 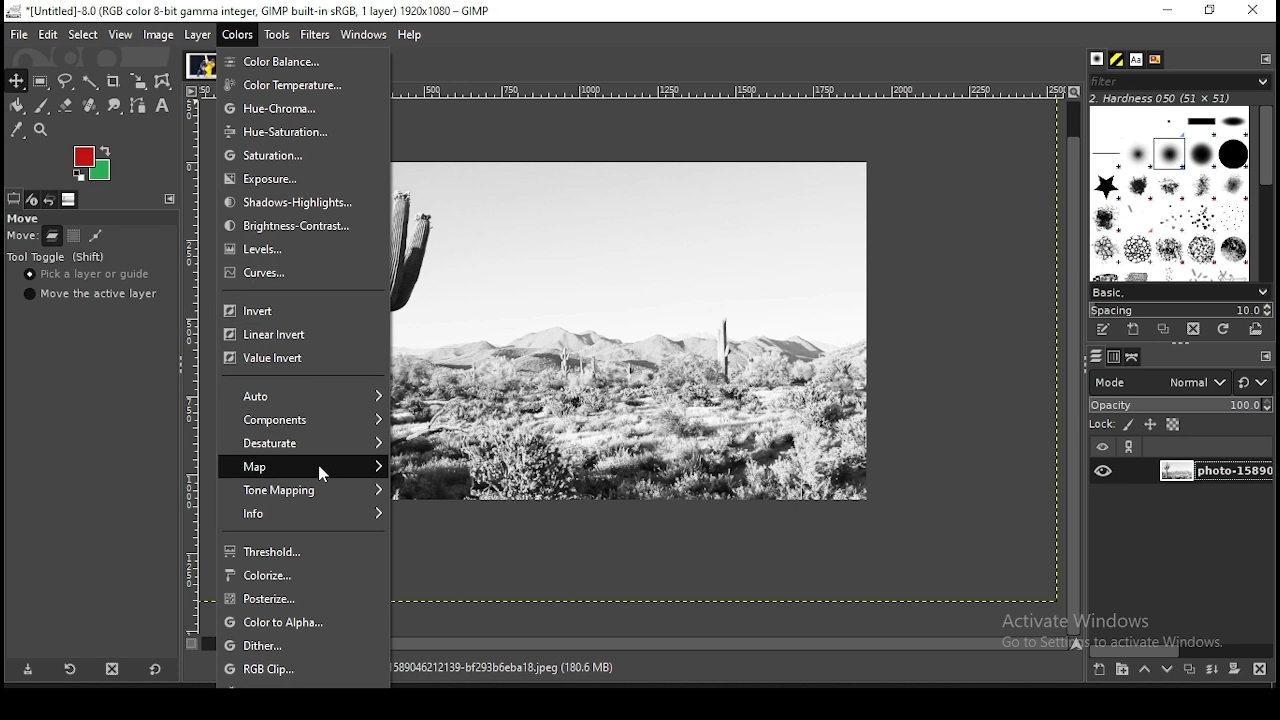 What do you see at coordinates (334, 476) in the screenshot?
I see `cursor` at bounding box center [334, 476].